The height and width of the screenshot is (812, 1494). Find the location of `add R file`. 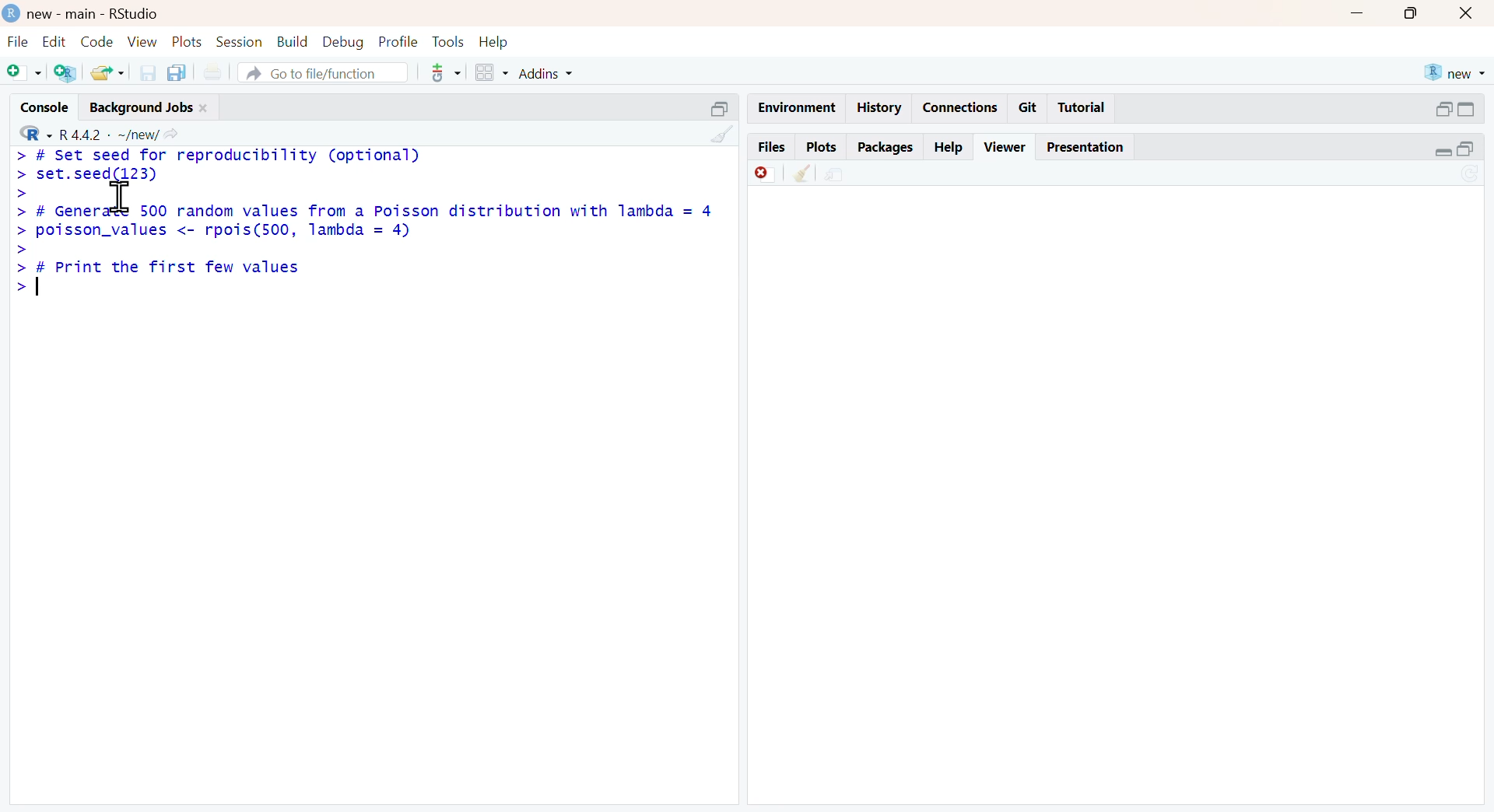

add R file is located at coordinates (68, 72).